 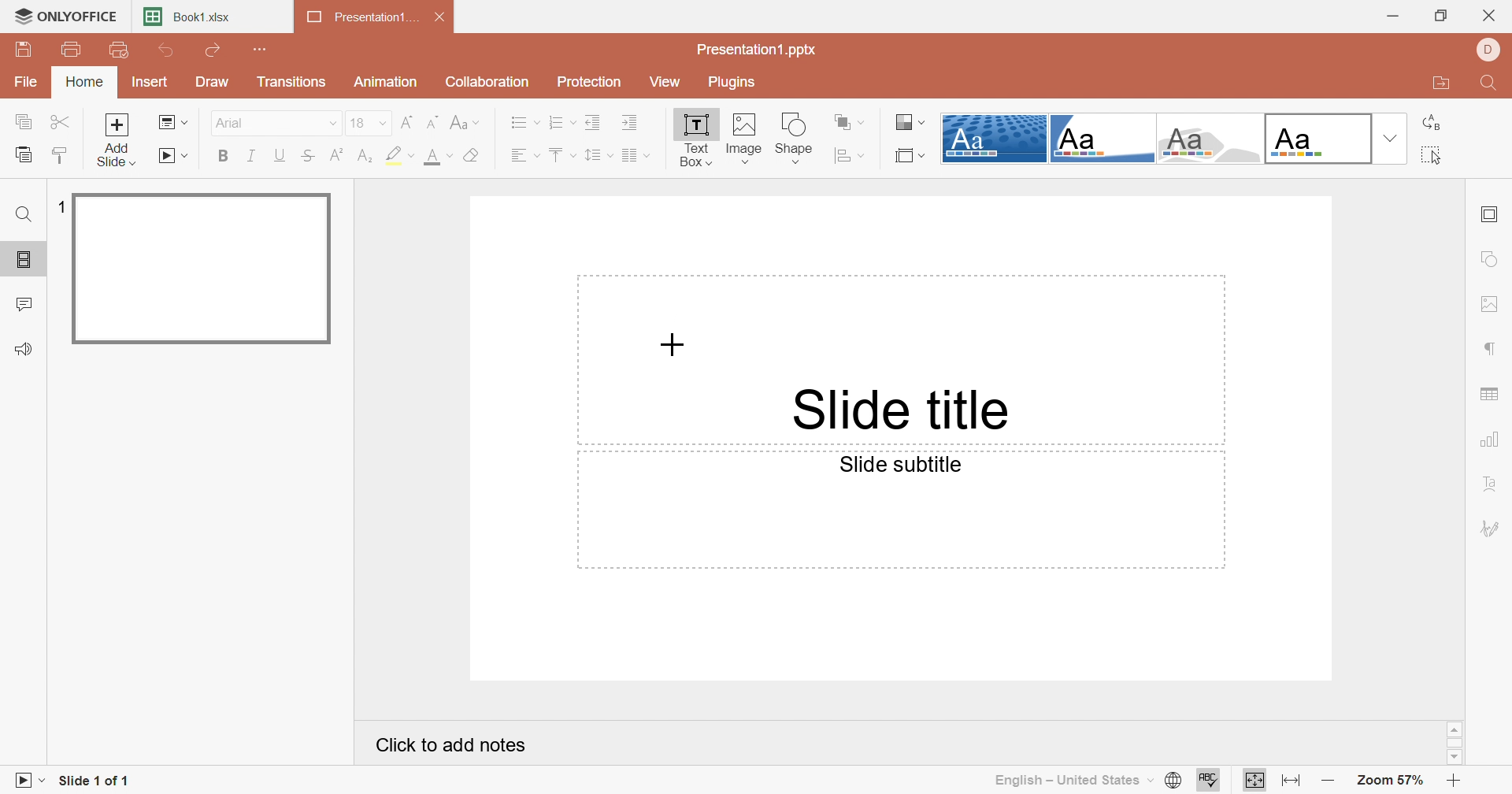 I want to click on Minimize, so click(x=1394, y=13).